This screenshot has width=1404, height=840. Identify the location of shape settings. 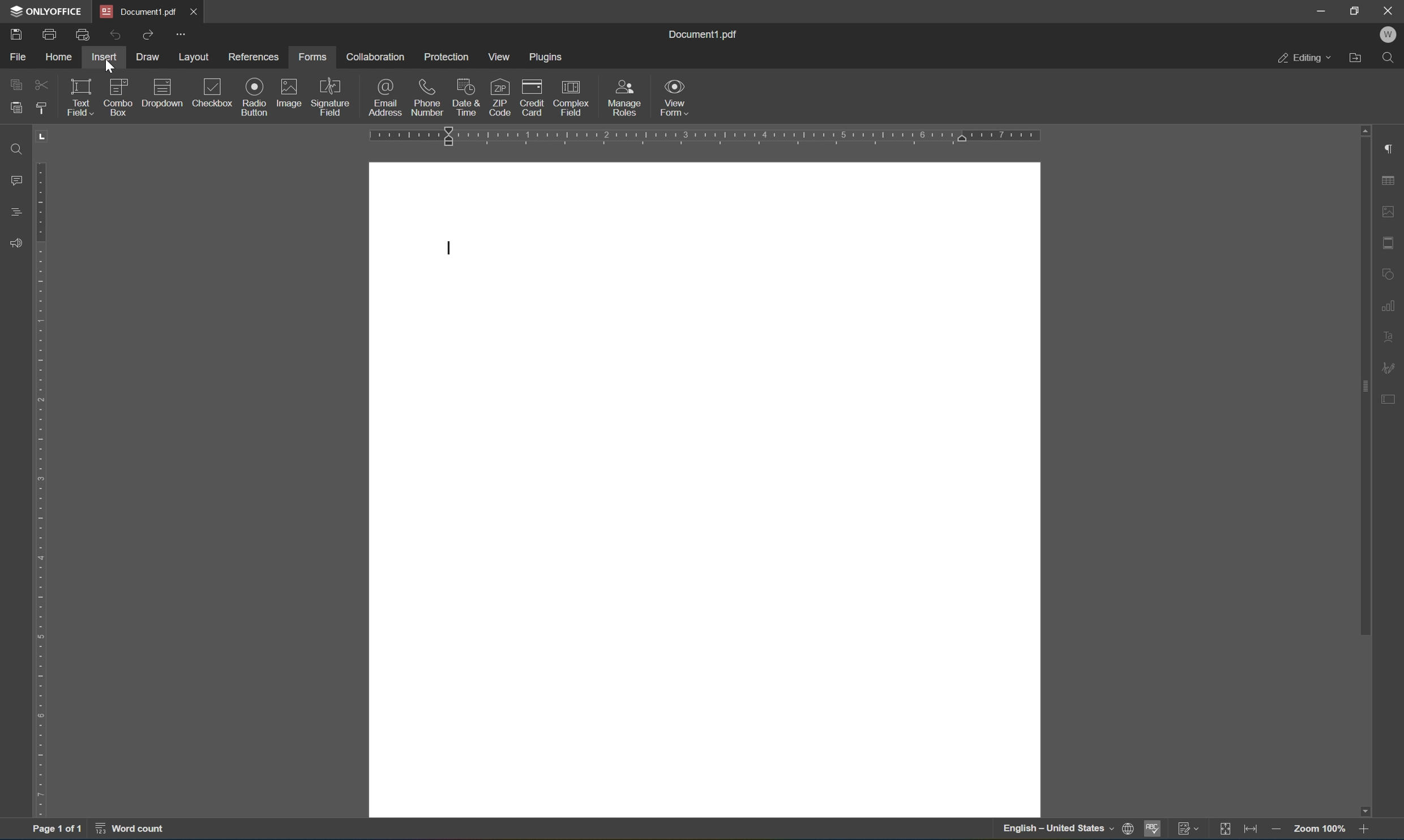
(1391, 272).